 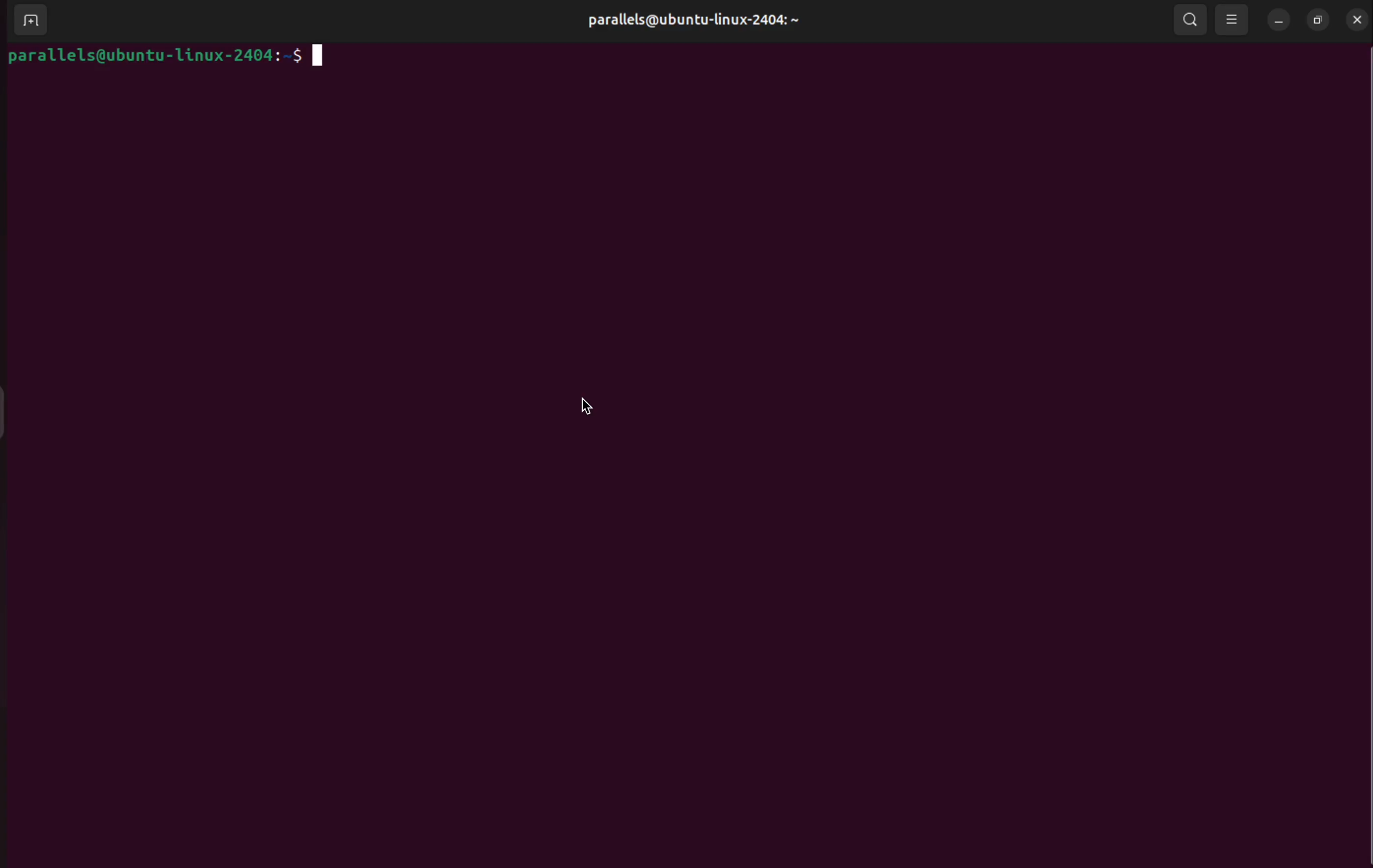 What do you see at coordinates (1229, 17) in the screenshot?
I see `view point` at bounding box center [1229, 17].